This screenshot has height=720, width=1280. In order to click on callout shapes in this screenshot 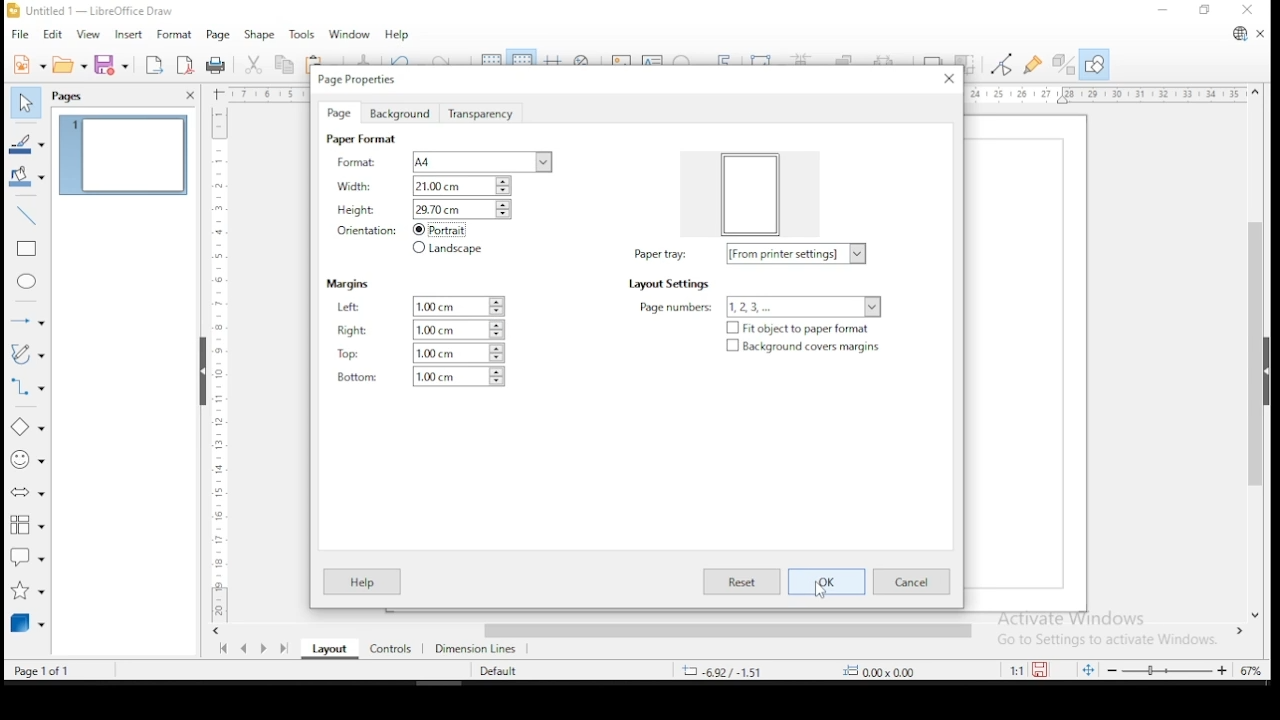, I will do `click(27, 559)`.